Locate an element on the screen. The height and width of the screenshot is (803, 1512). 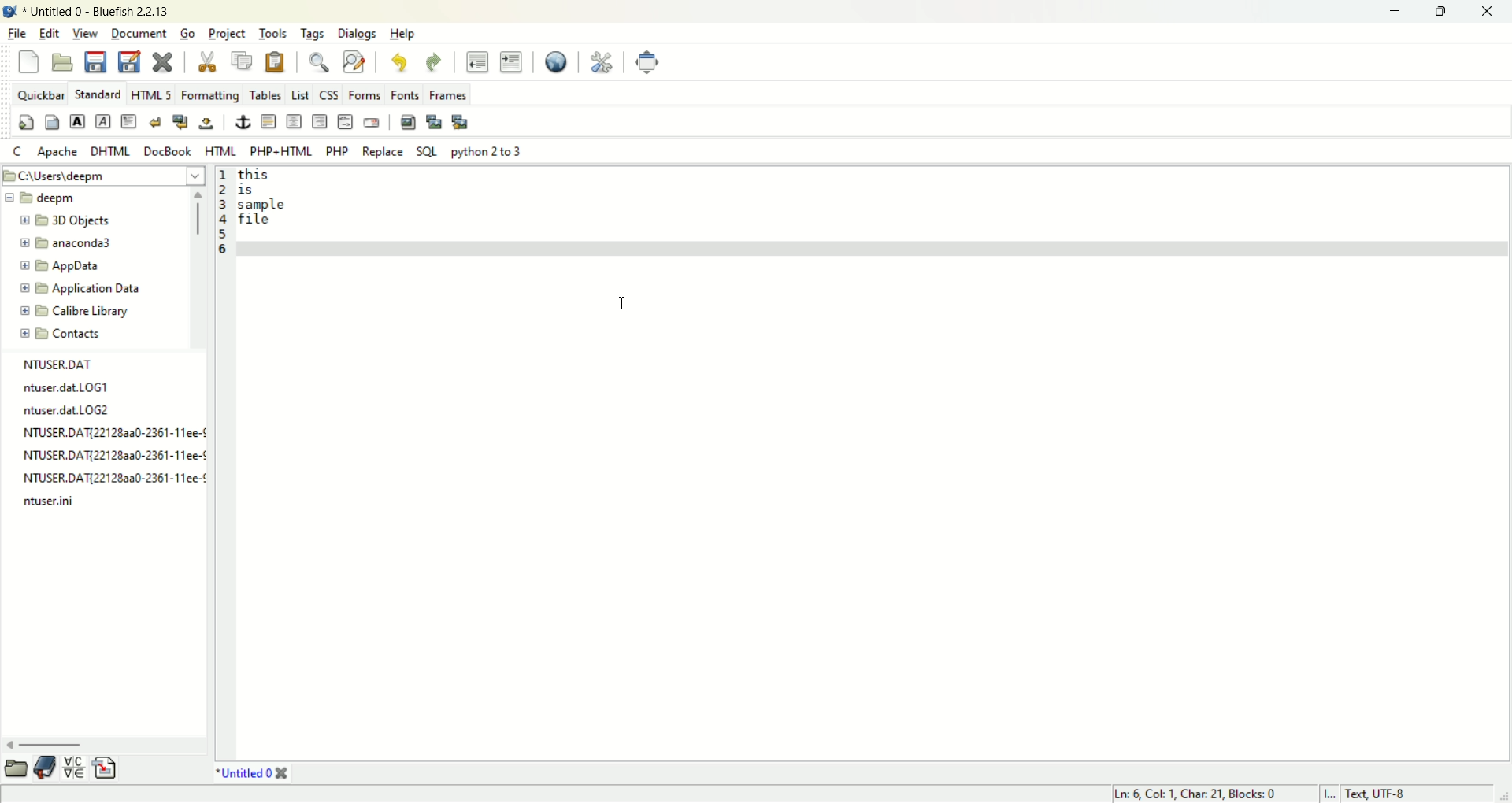
logo is located at coordinates (10, 12).